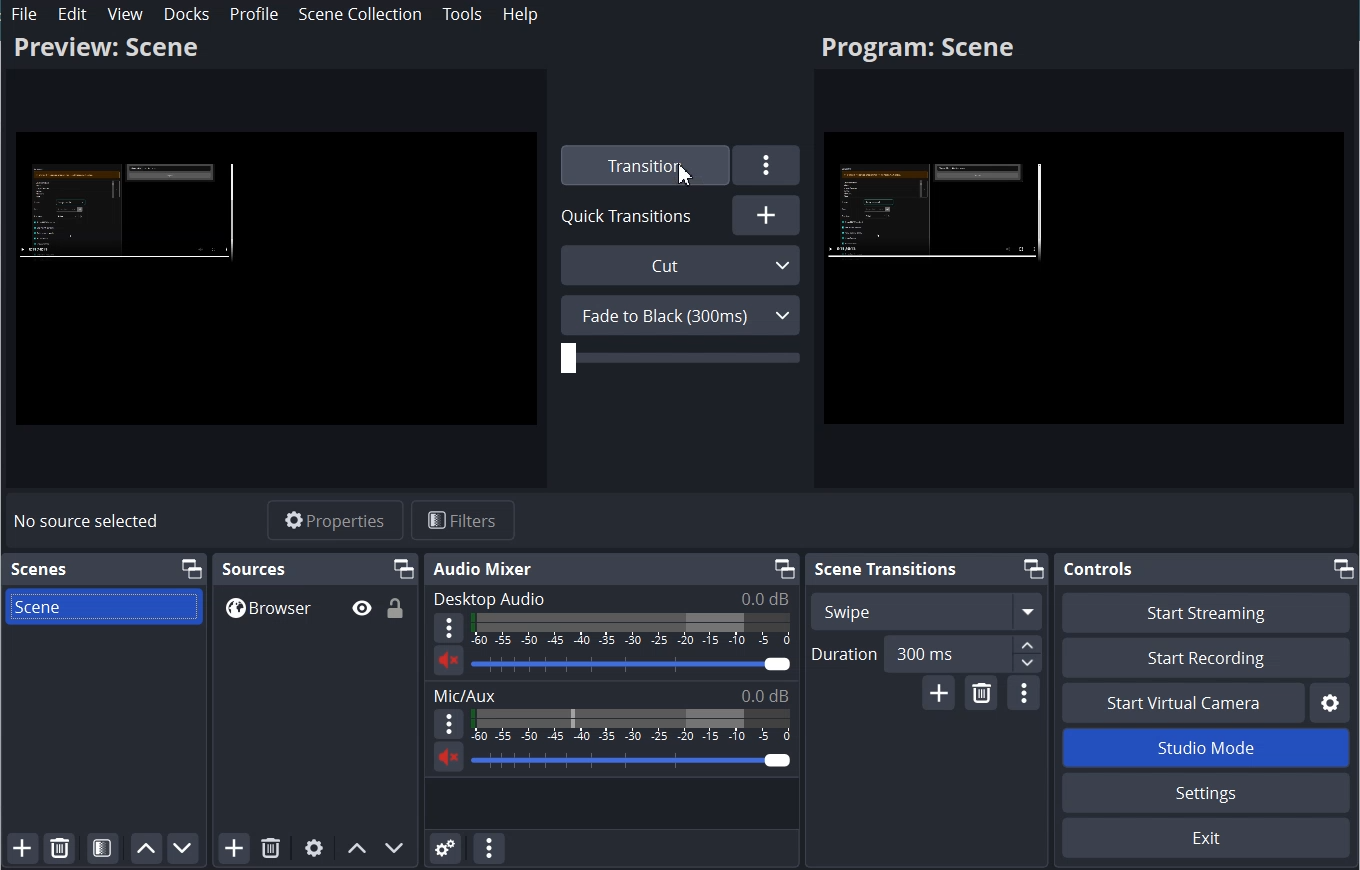  What do you see at coordinates (630, 664) in the screenshot?
I see `Volume Adjuster` at bounding box center [630, 664].